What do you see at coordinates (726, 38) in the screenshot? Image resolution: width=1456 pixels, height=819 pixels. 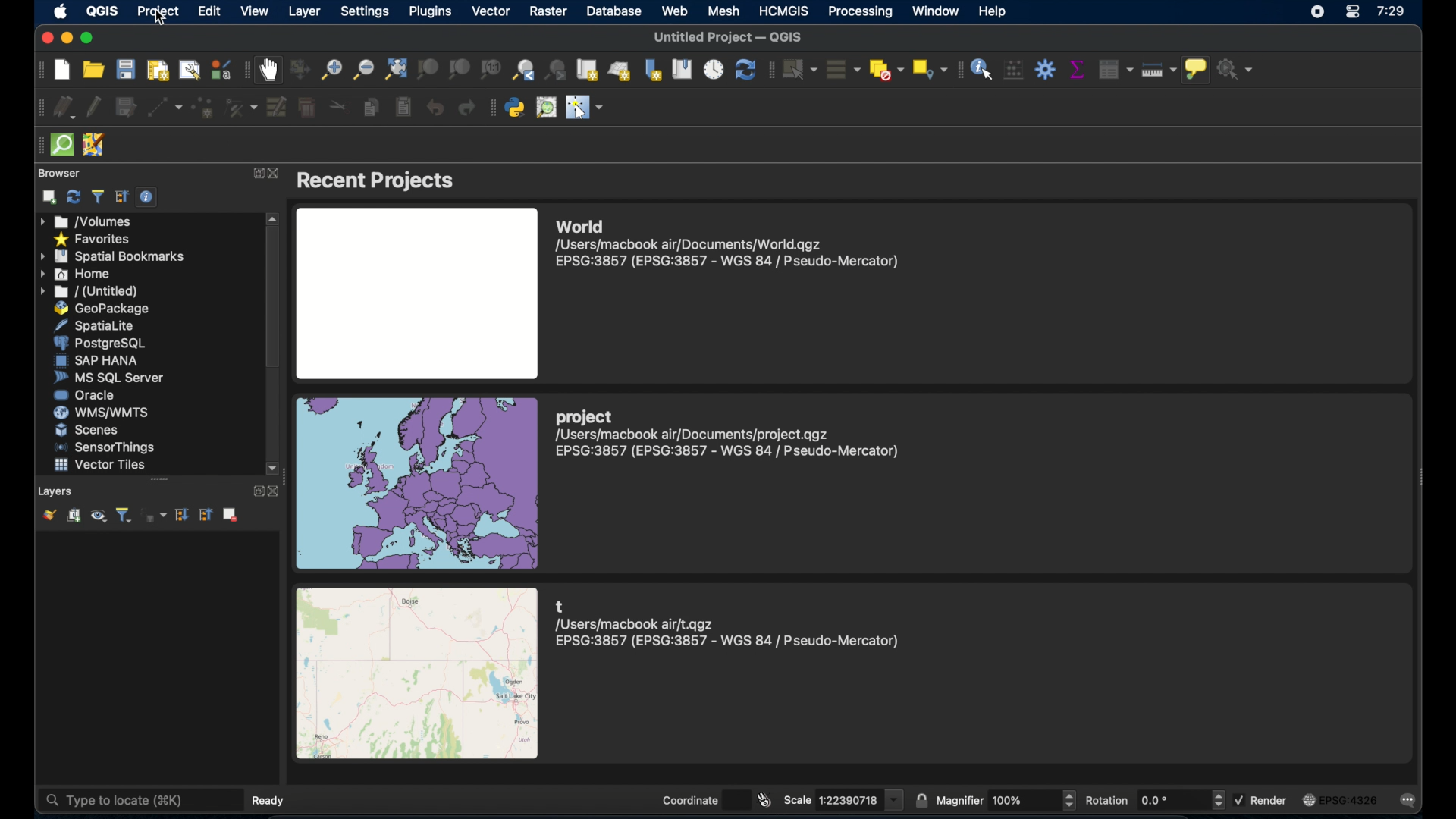 I see `untitled project -QGIS` at bounding box center [726, 38].